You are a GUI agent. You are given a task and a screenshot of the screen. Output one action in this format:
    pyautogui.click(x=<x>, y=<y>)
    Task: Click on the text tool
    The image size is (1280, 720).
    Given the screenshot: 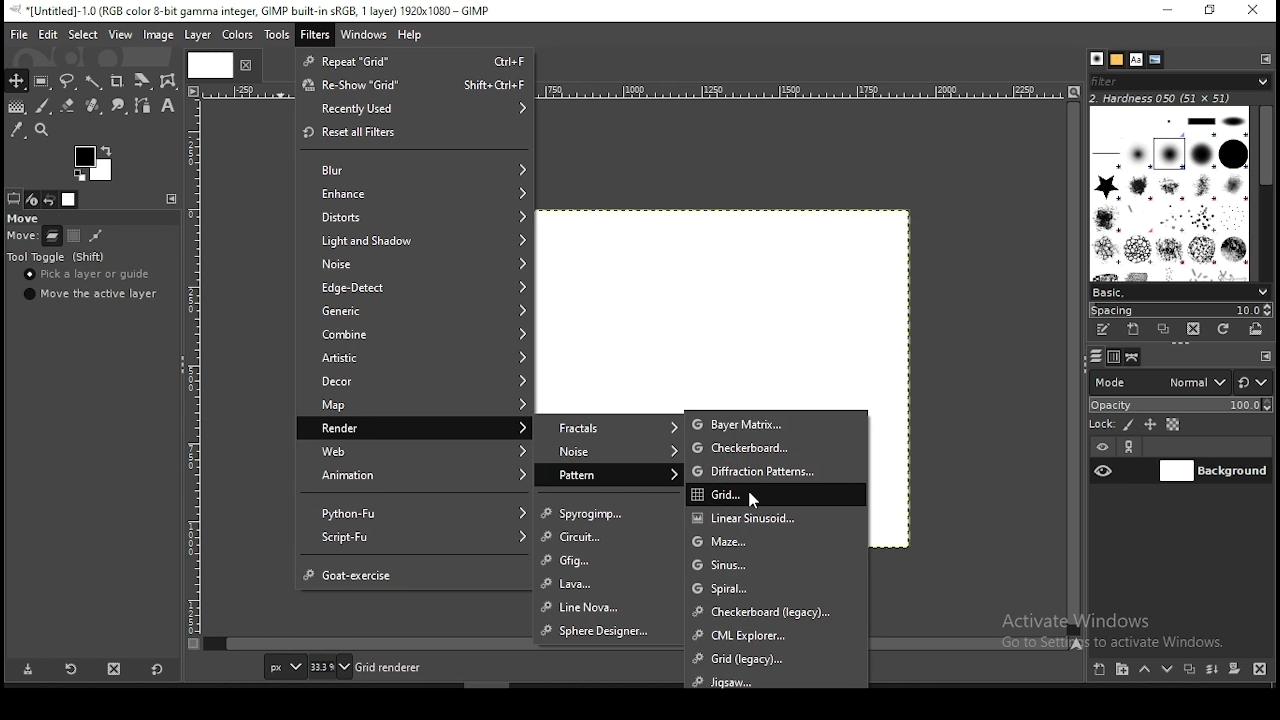 What is the action you would take?
    pyautogui.click(x=168, y=106)
    